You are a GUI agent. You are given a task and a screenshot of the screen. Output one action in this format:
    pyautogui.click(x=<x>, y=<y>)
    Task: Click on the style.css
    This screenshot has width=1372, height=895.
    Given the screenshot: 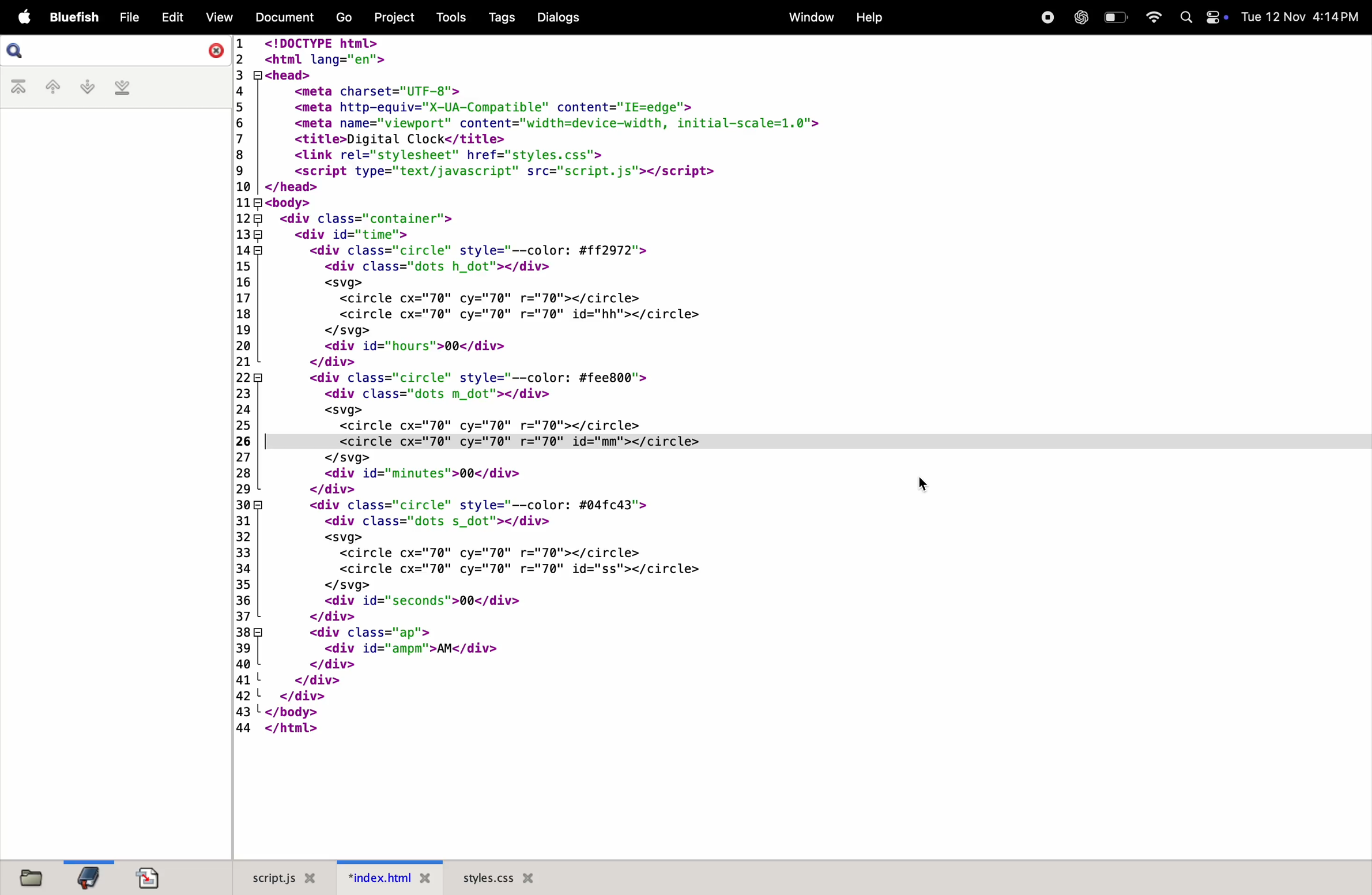 What is the action you would take?
    pyautogui.click(x=512, y=876)
    